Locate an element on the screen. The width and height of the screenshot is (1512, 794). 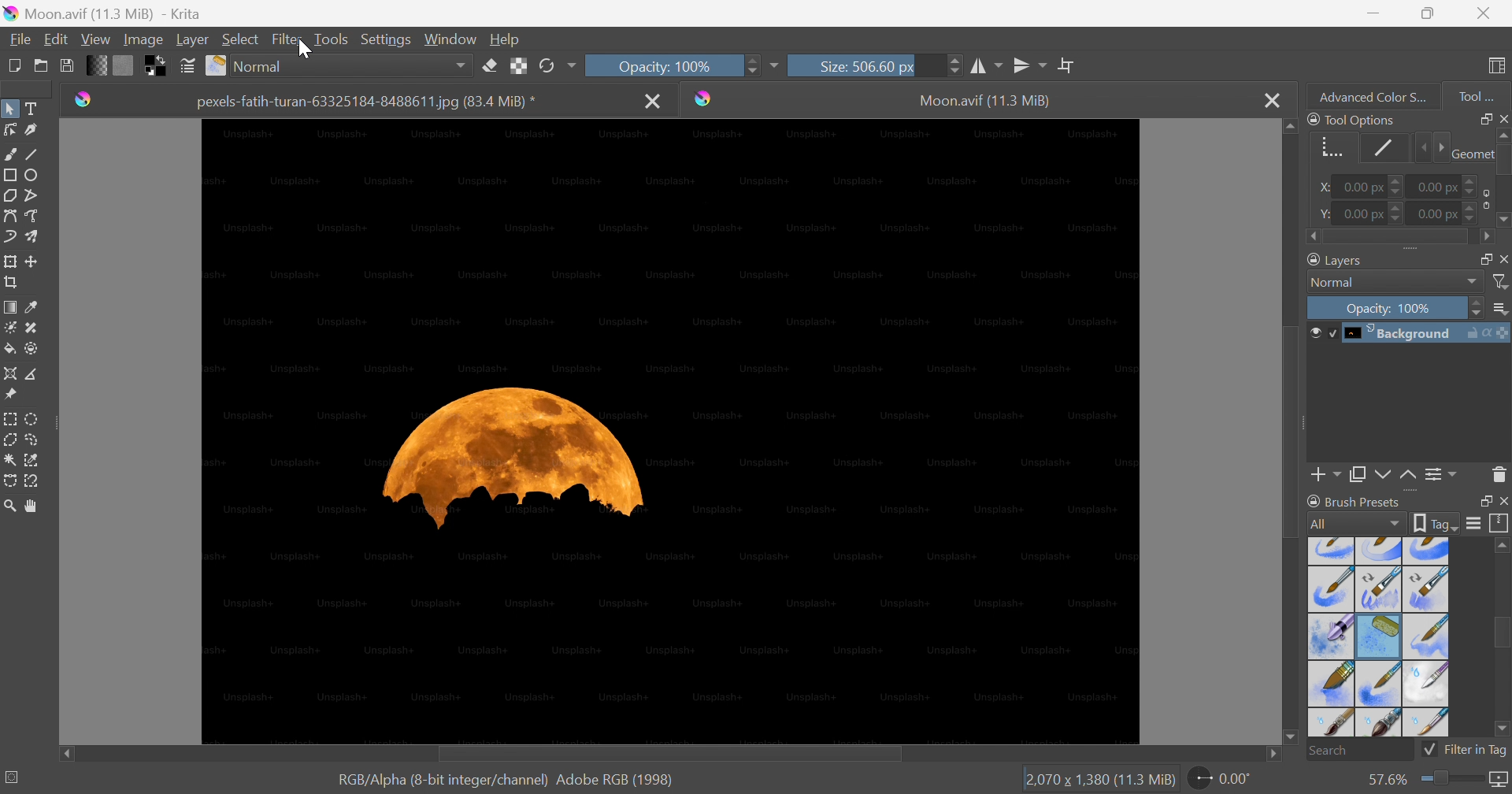
Size: 506.60 px is located at coordinates (875, 65).